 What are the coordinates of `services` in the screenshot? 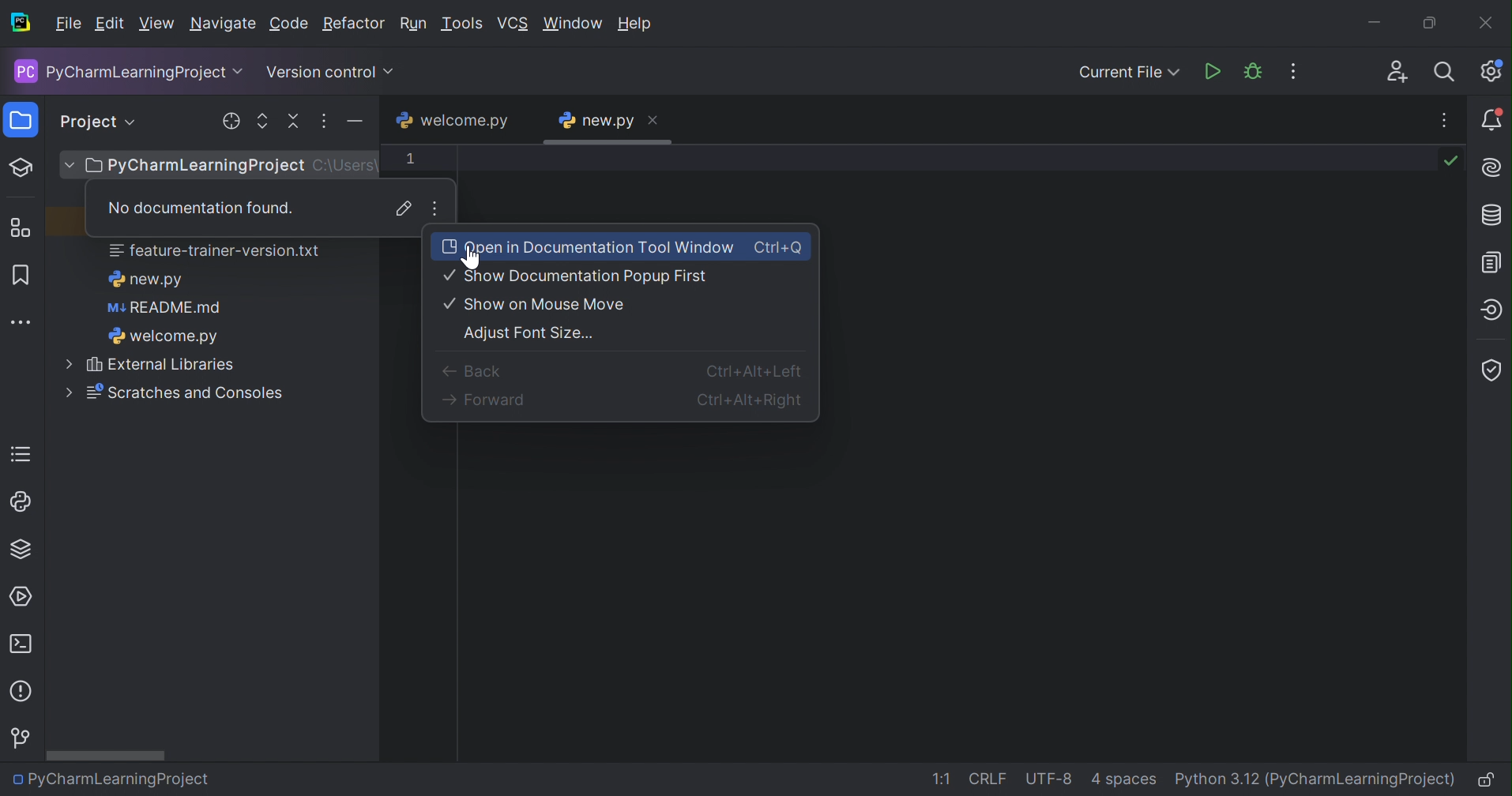 It's located at (24, 595).